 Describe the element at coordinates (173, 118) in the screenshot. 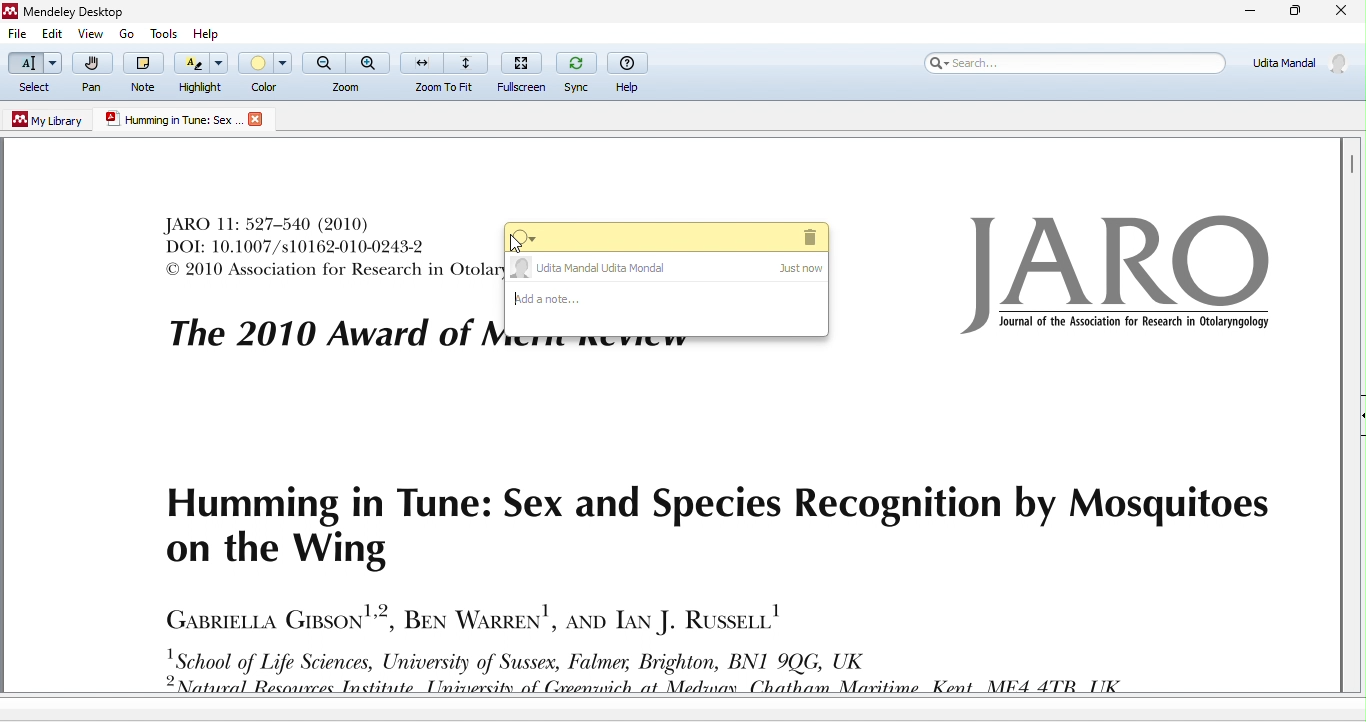

I see `humming in true.sex` at that location.